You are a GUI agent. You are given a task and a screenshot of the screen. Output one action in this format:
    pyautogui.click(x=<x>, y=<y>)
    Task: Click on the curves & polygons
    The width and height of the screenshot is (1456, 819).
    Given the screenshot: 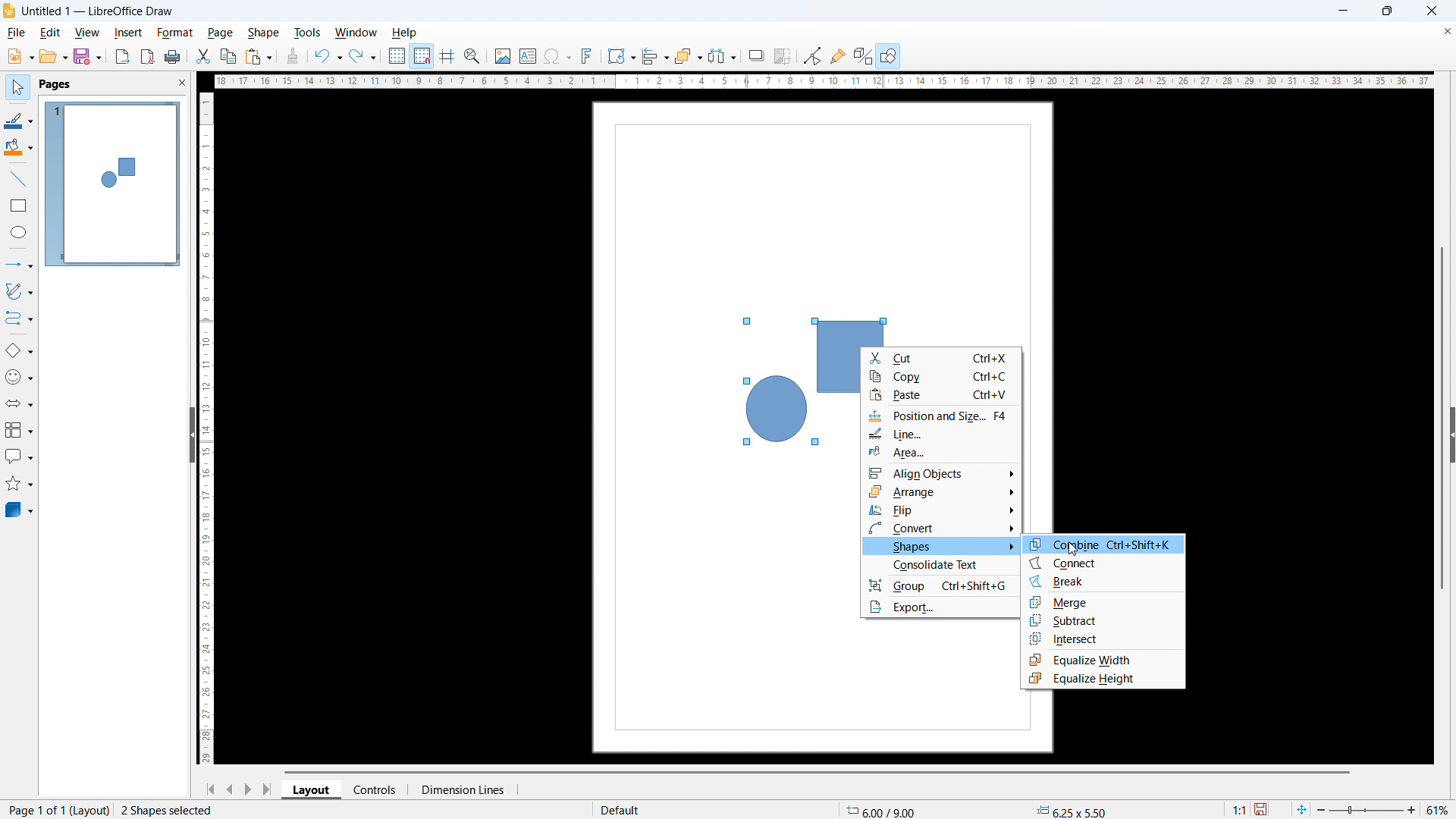 What is the action you would take?
    pyautogui.click(x=20, y=291)
    